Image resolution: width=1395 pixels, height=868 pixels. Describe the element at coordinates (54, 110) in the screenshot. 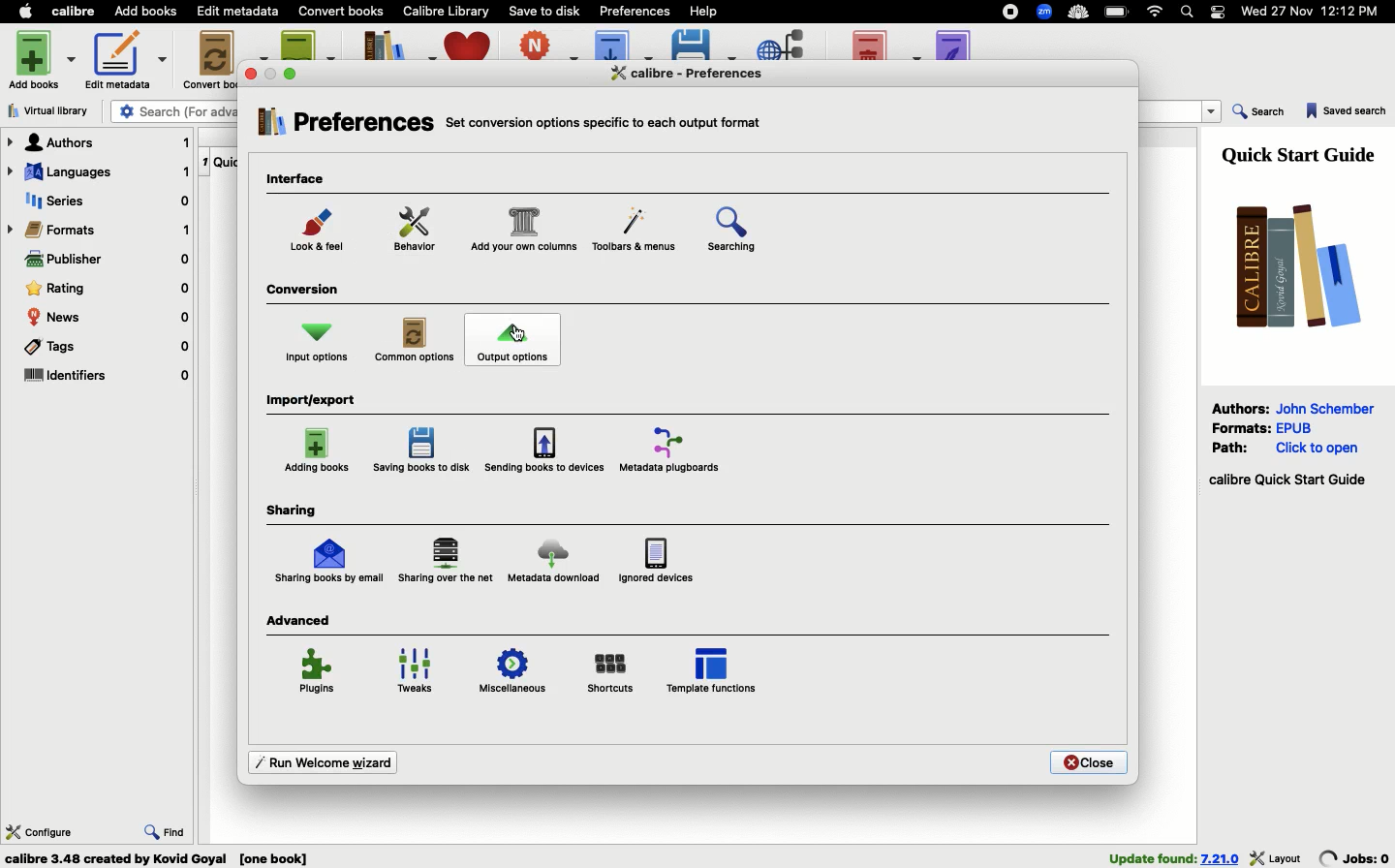

I see `Virtual library` at that location.